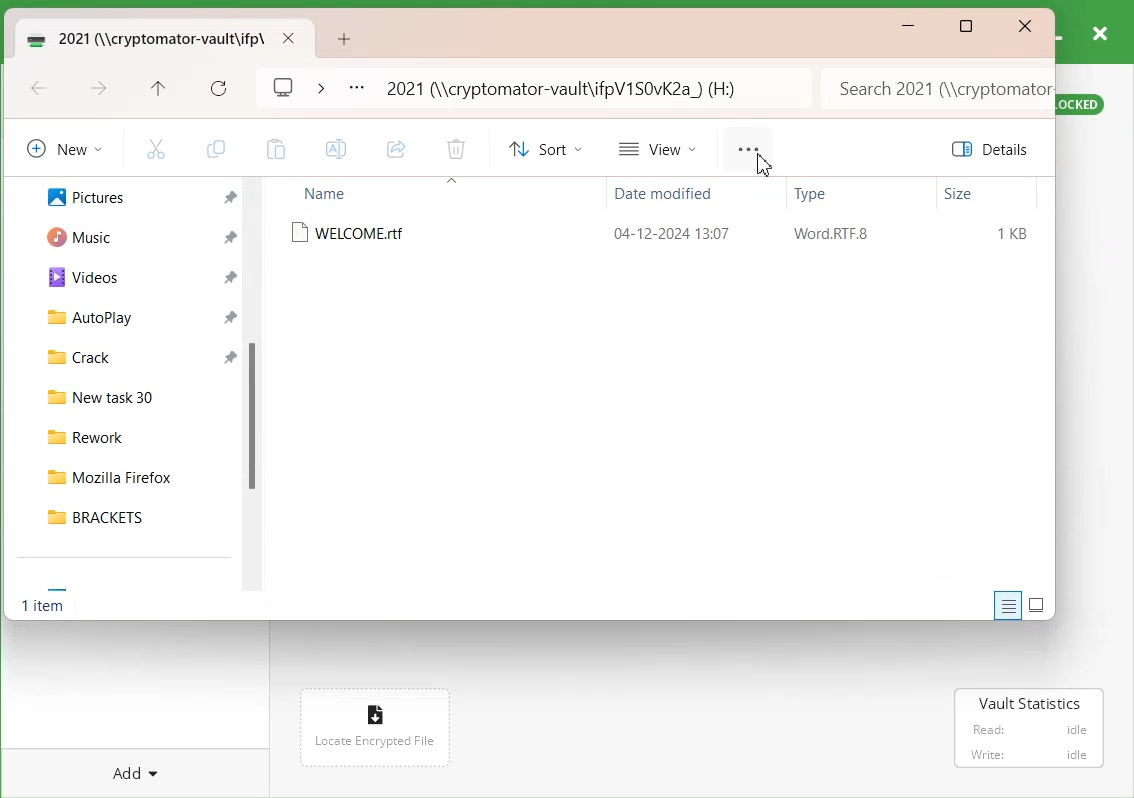  What do you see at coordinates (1101, 38) in the screenshot?
I see `Close` at bounding box center [1101, 38].